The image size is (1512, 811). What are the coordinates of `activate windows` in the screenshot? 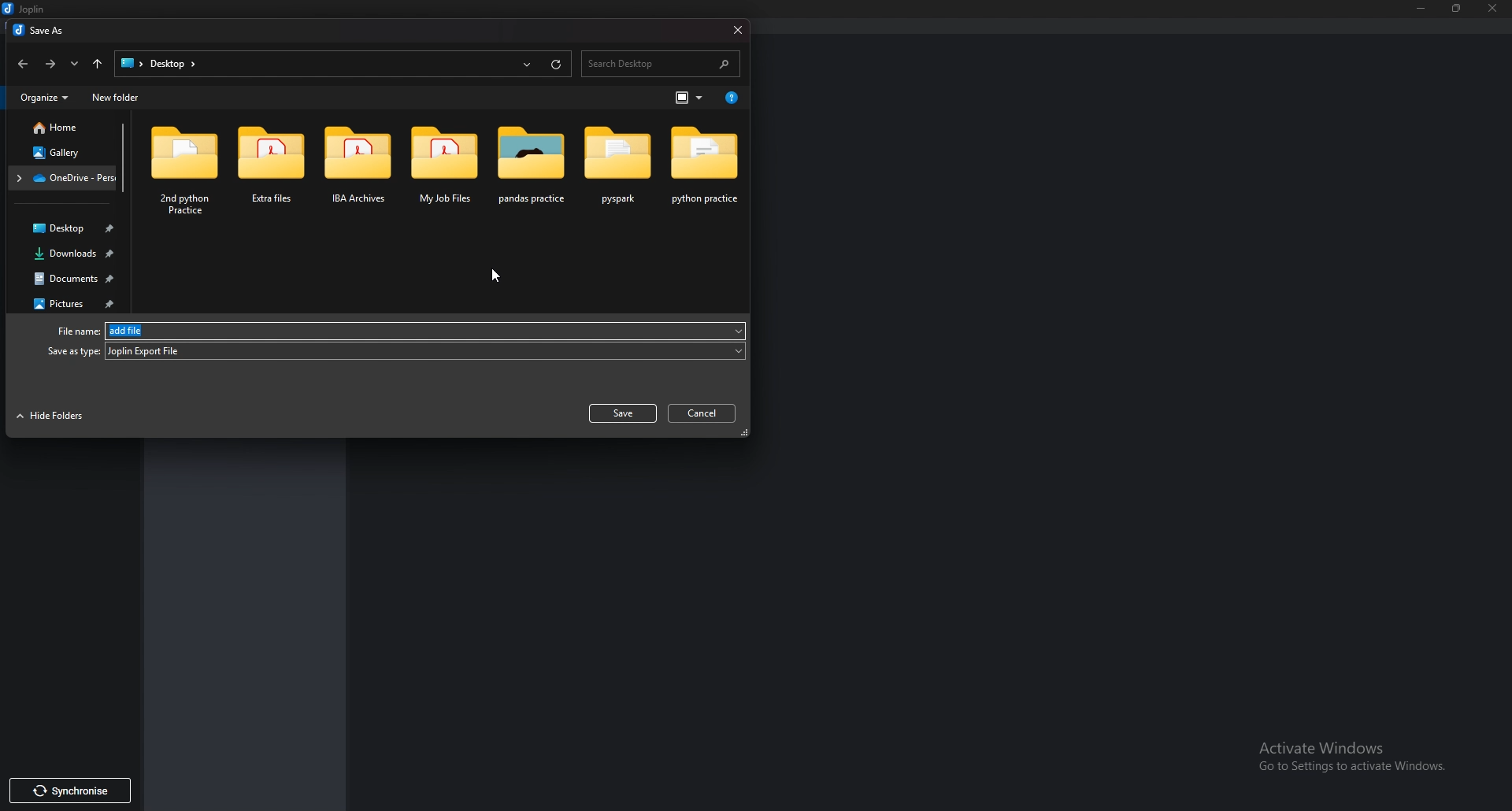 It's located at (1346, 756).